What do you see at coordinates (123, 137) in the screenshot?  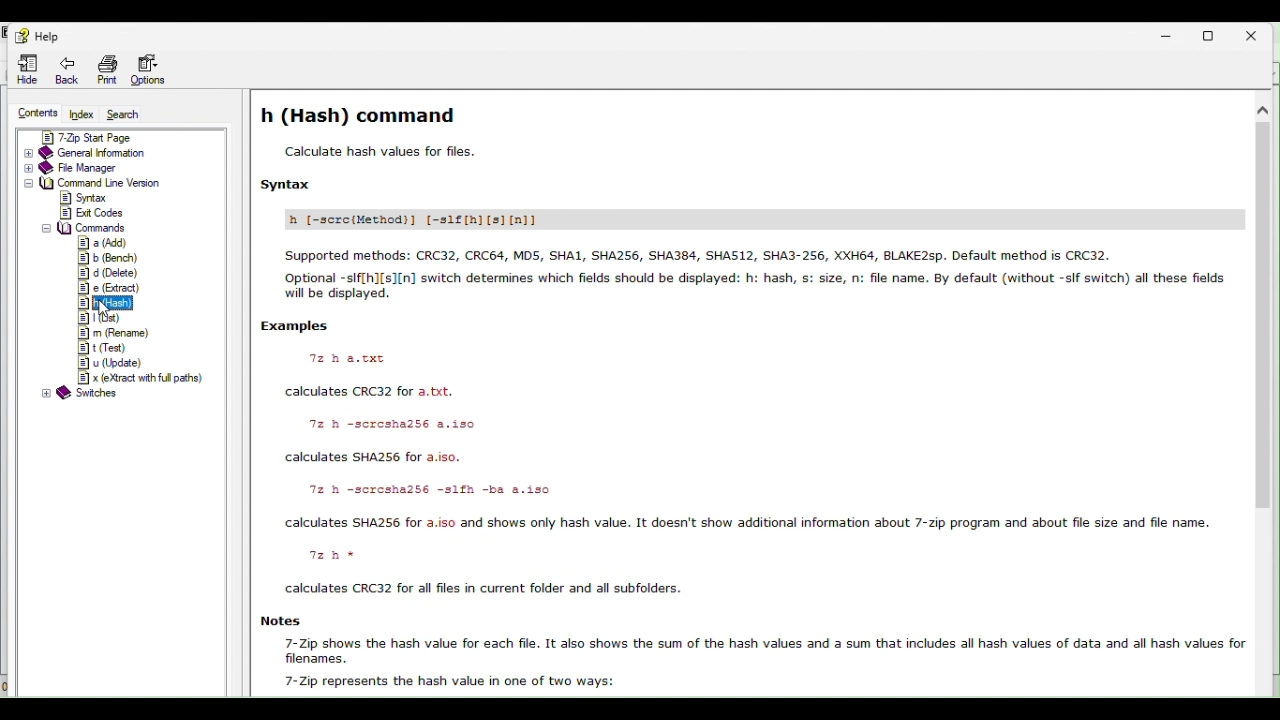 I see `Seven zip start page` at bounding box center [123, 137].